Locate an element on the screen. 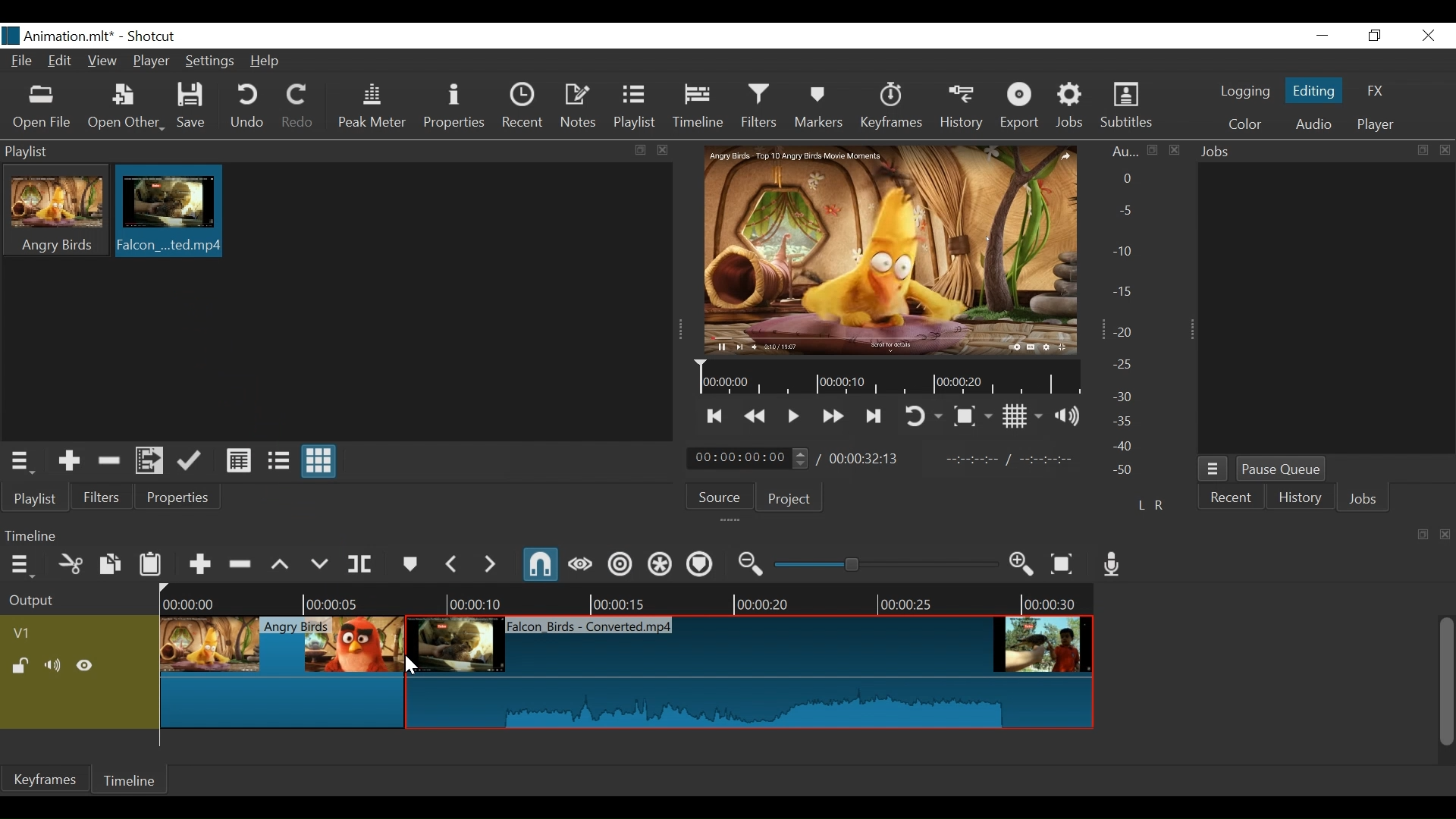  Filters is located at coordinates (758, 106).